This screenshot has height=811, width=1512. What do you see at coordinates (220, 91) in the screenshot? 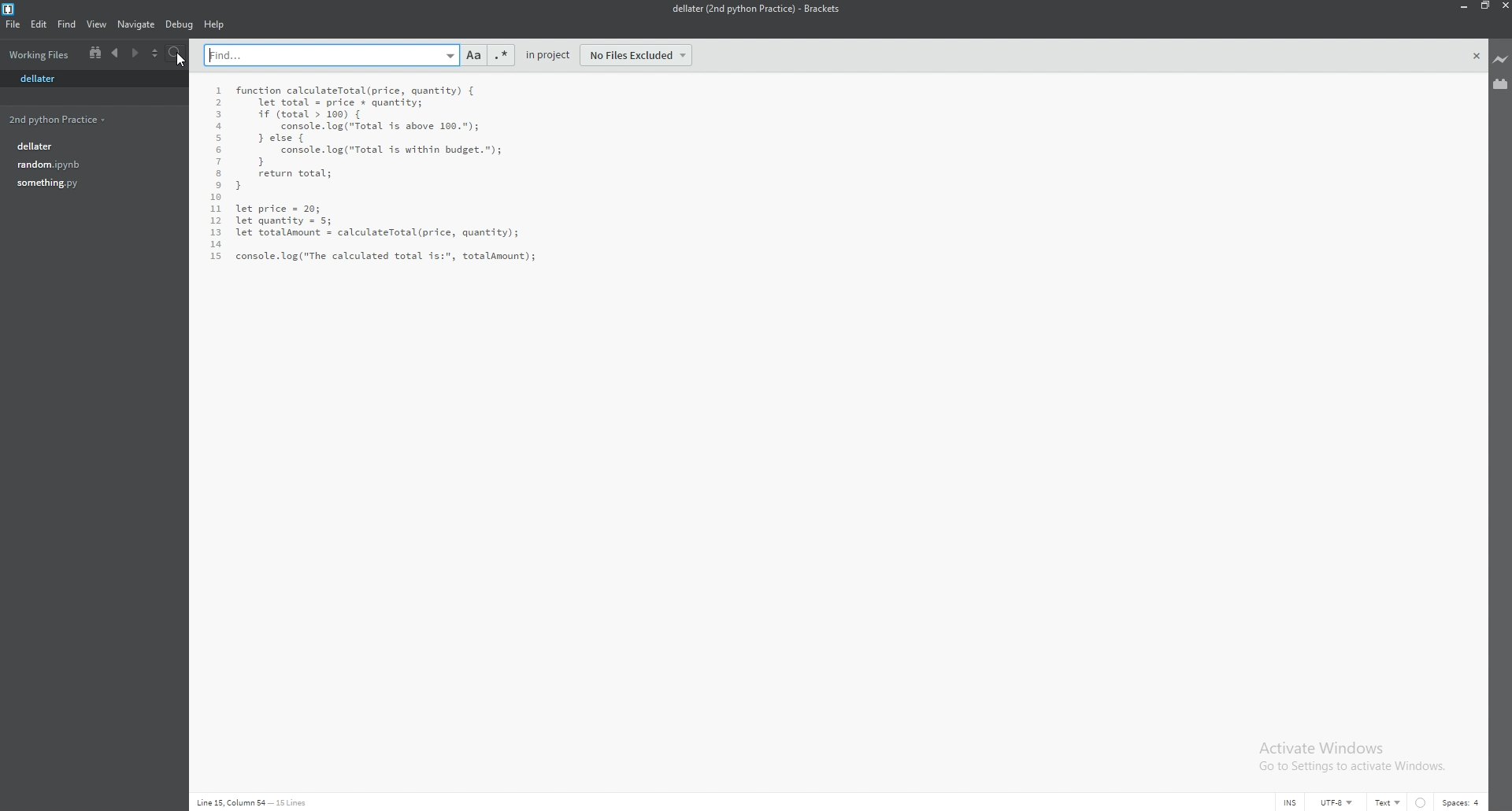
I see `1` at bounding box center [220, 91].